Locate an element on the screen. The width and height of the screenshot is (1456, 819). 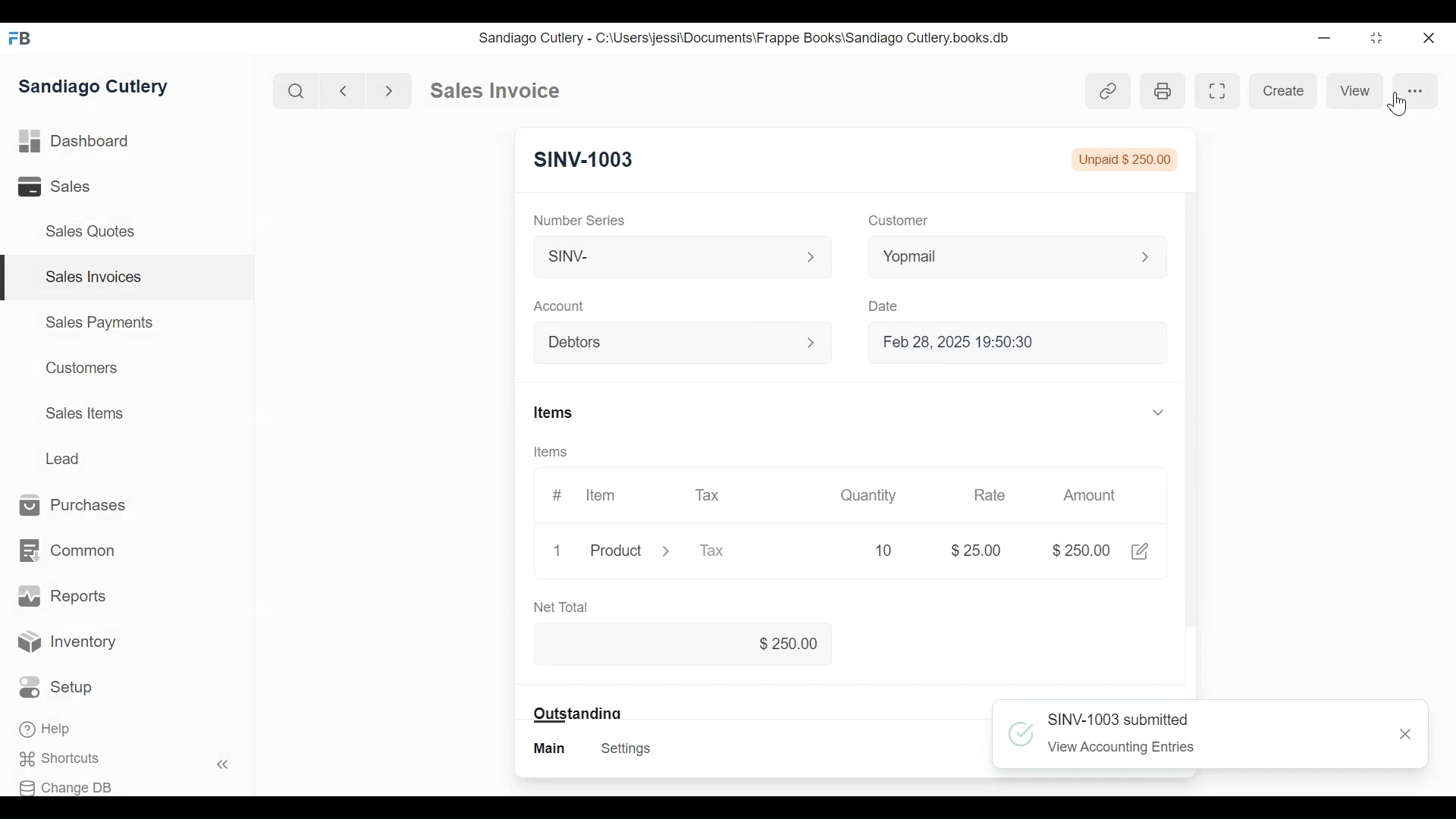
Items is located at coordinates (556, 409).